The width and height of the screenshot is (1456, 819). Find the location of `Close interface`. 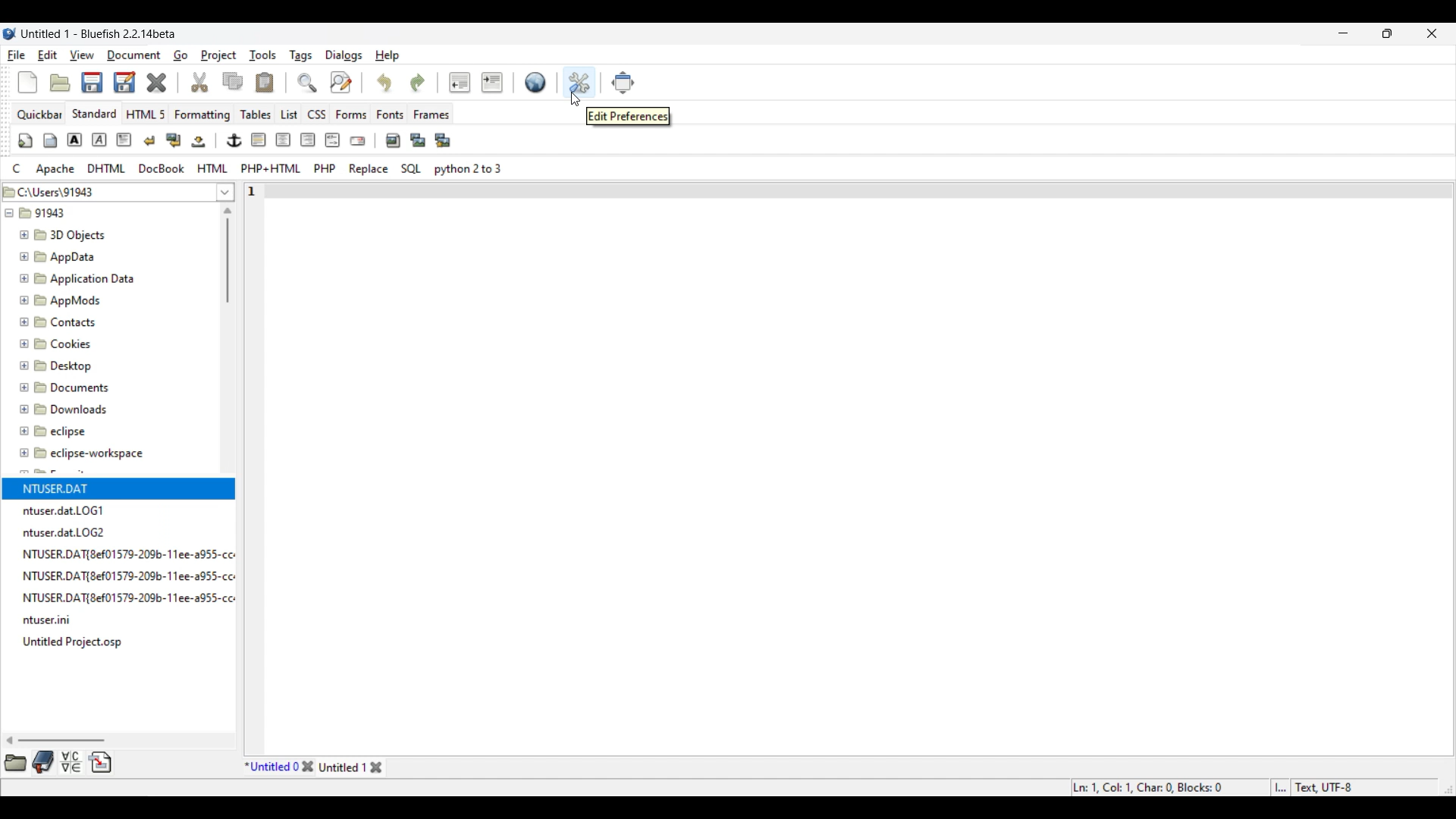

Close interface is located at coordinates (1432, 33).